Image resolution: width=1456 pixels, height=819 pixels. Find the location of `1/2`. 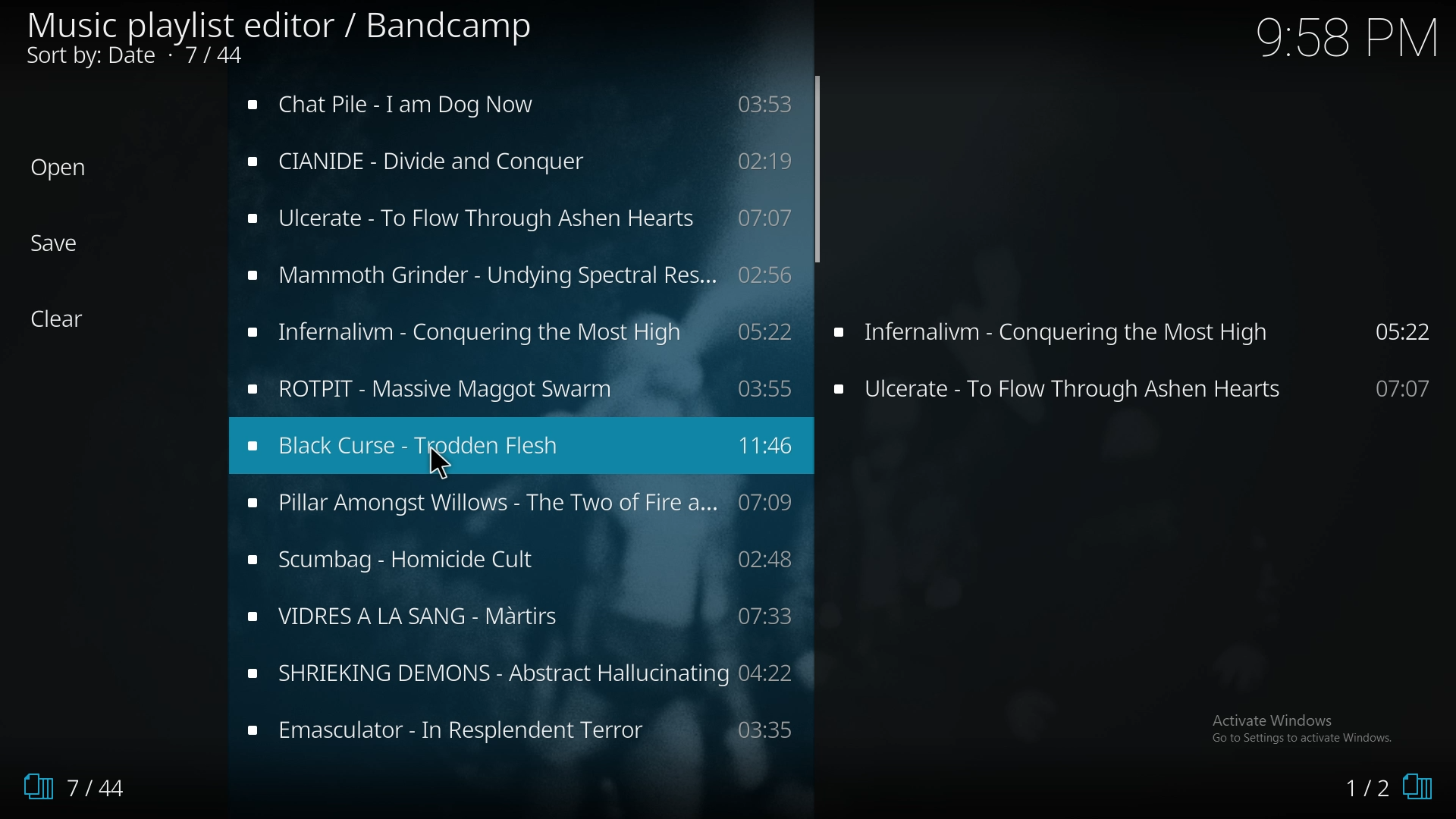

1/2 is located at coordinates (1381, 790).